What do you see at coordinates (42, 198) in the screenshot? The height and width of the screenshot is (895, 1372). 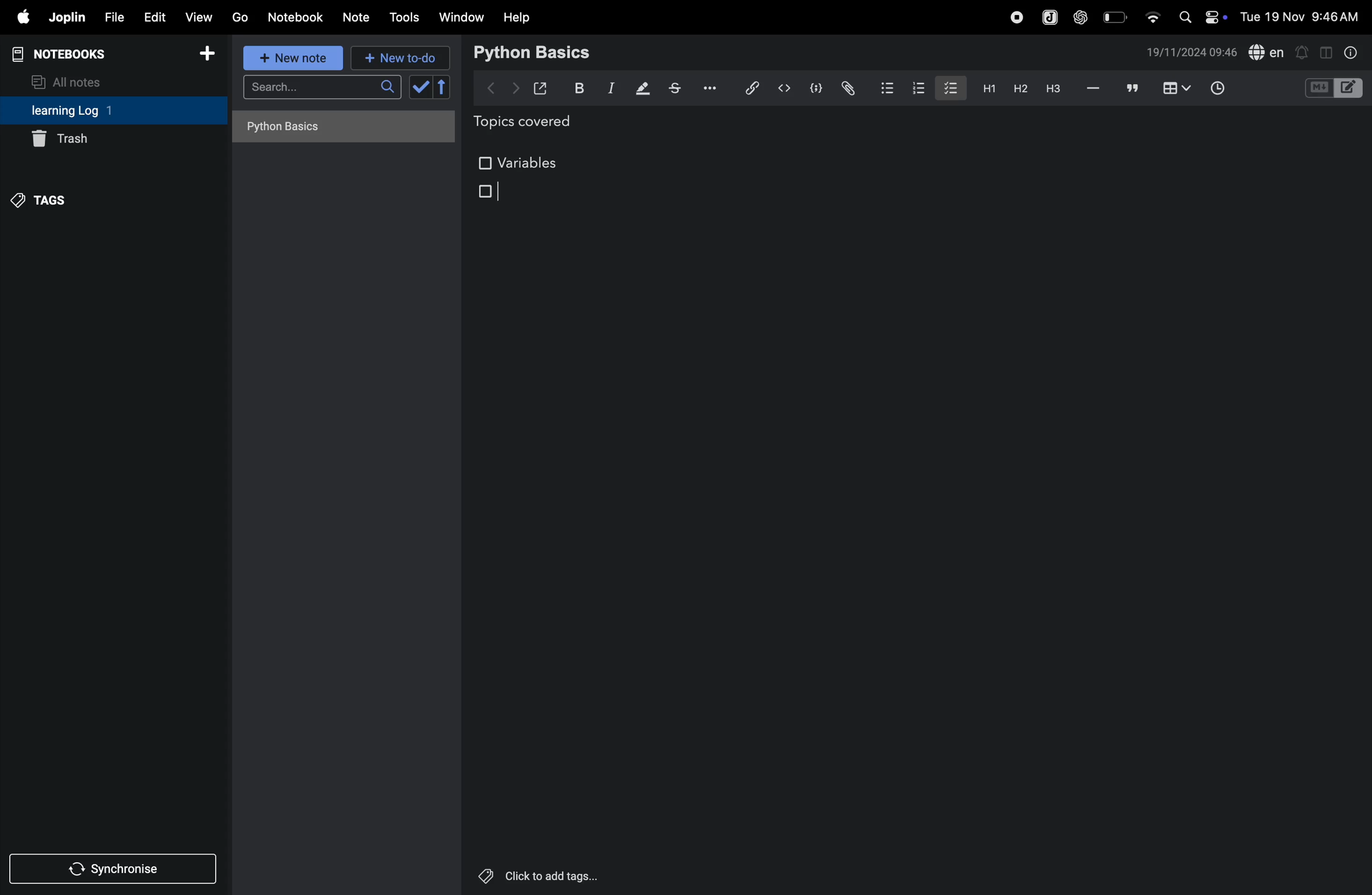 I see `tags` at bounding box center [42, 198].